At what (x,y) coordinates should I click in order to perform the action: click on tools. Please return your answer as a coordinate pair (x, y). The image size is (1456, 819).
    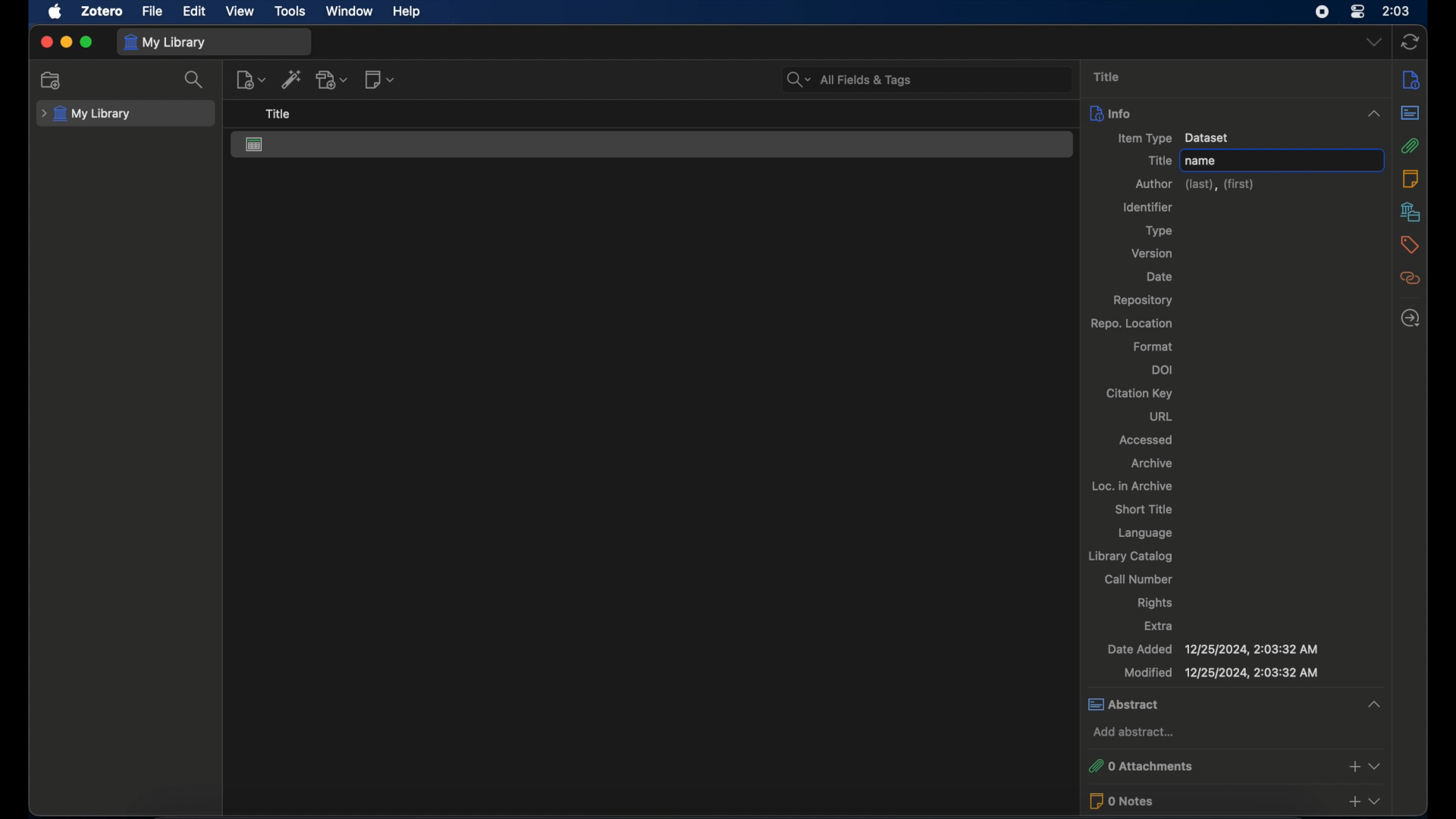
    Looking at the image, I should click on (290, 11).